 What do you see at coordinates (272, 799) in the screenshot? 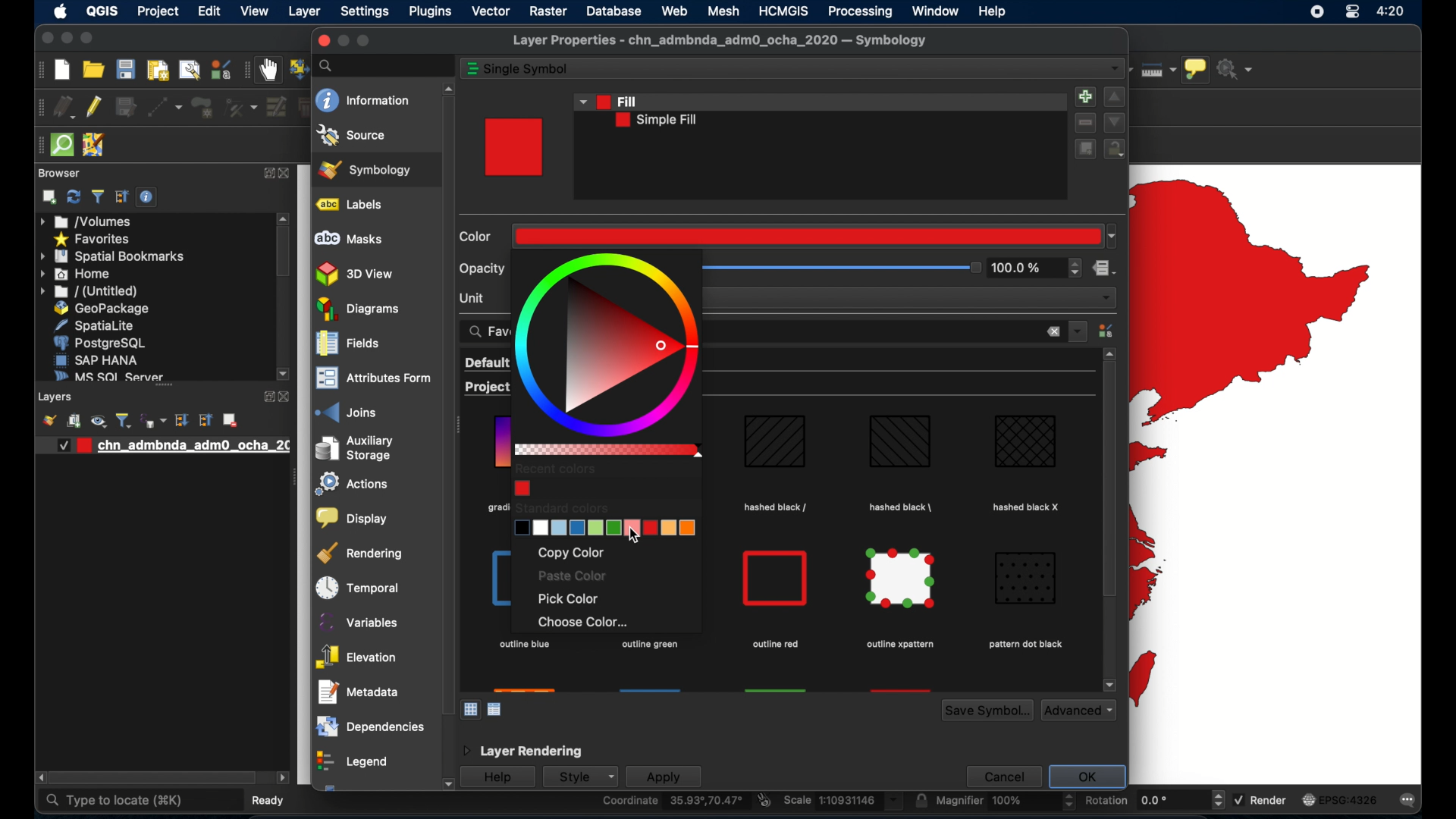
I see `ready` at bounding box center [272, 799].